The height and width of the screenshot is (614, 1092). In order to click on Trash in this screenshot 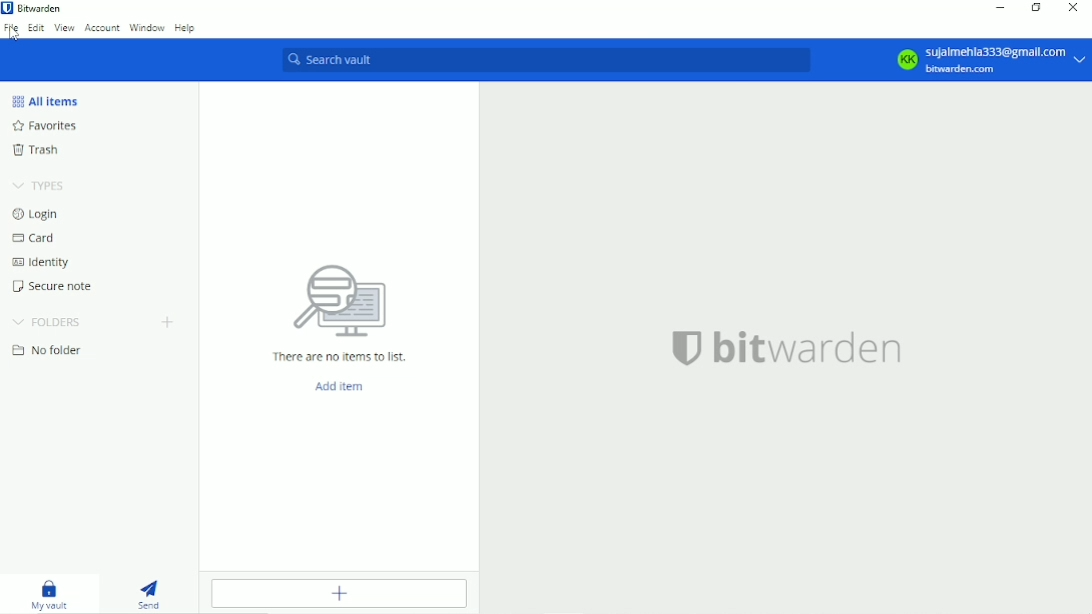, I will do `click(39, 151)`.